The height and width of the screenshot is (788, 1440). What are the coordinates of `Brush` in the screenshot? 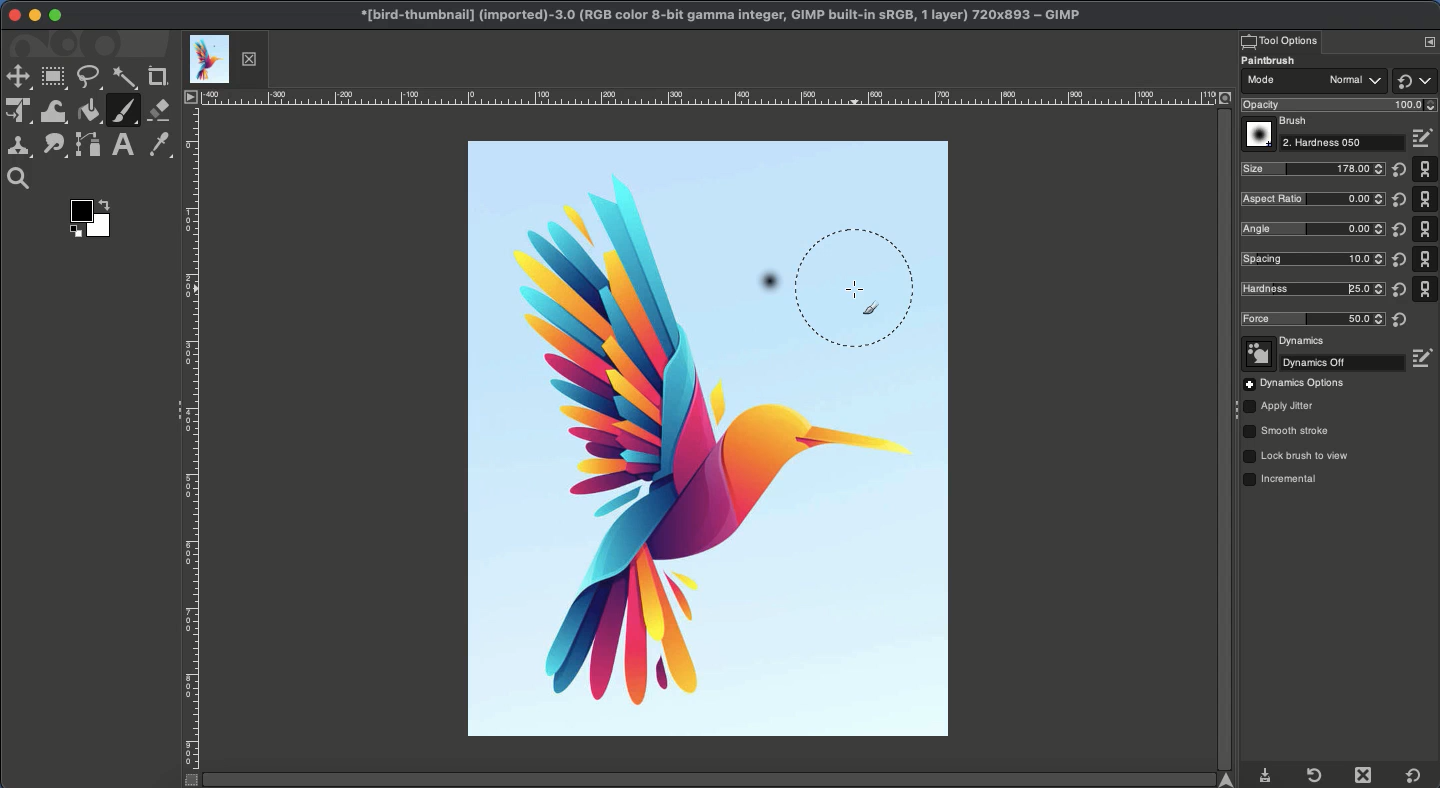 It's located at (1278, 122).